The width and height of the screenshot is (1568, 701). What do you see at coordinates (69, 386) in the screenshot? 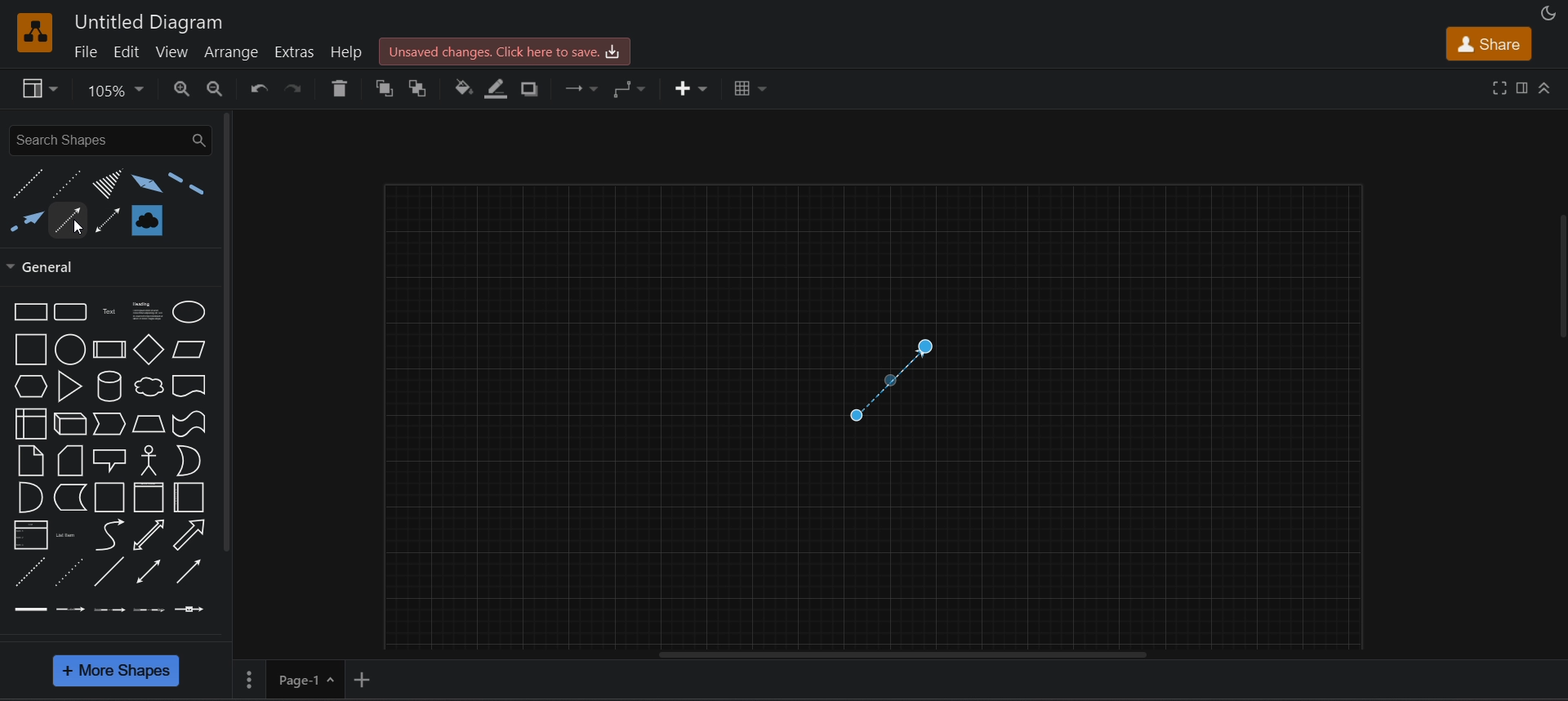
I see `triangle` at bounding box center [69, 386].